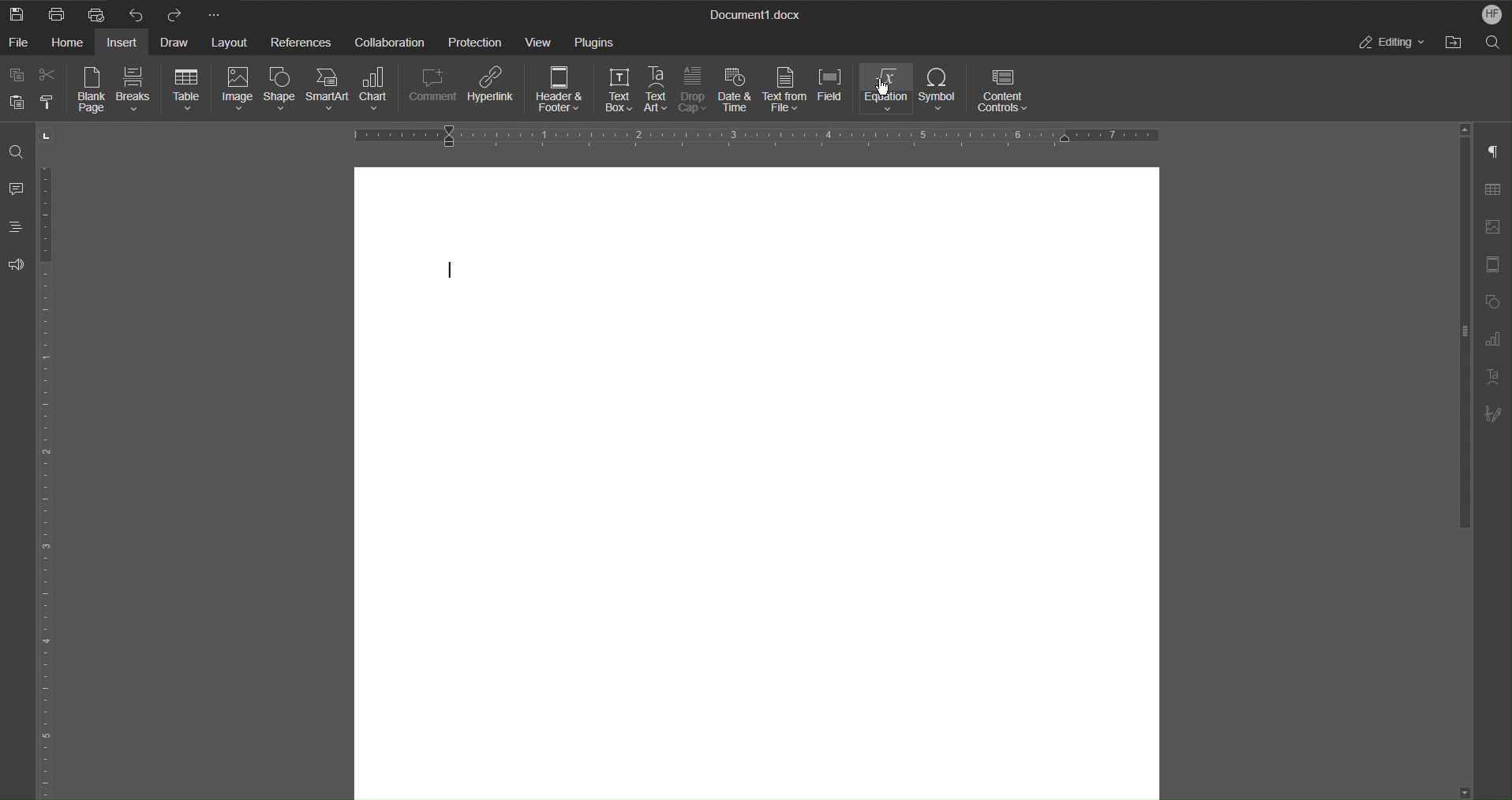 The height and width of the screenshot is (800, 1512). Describe the element at coordinates (885, 88) in the screenshot. I see `Equation` at that location.